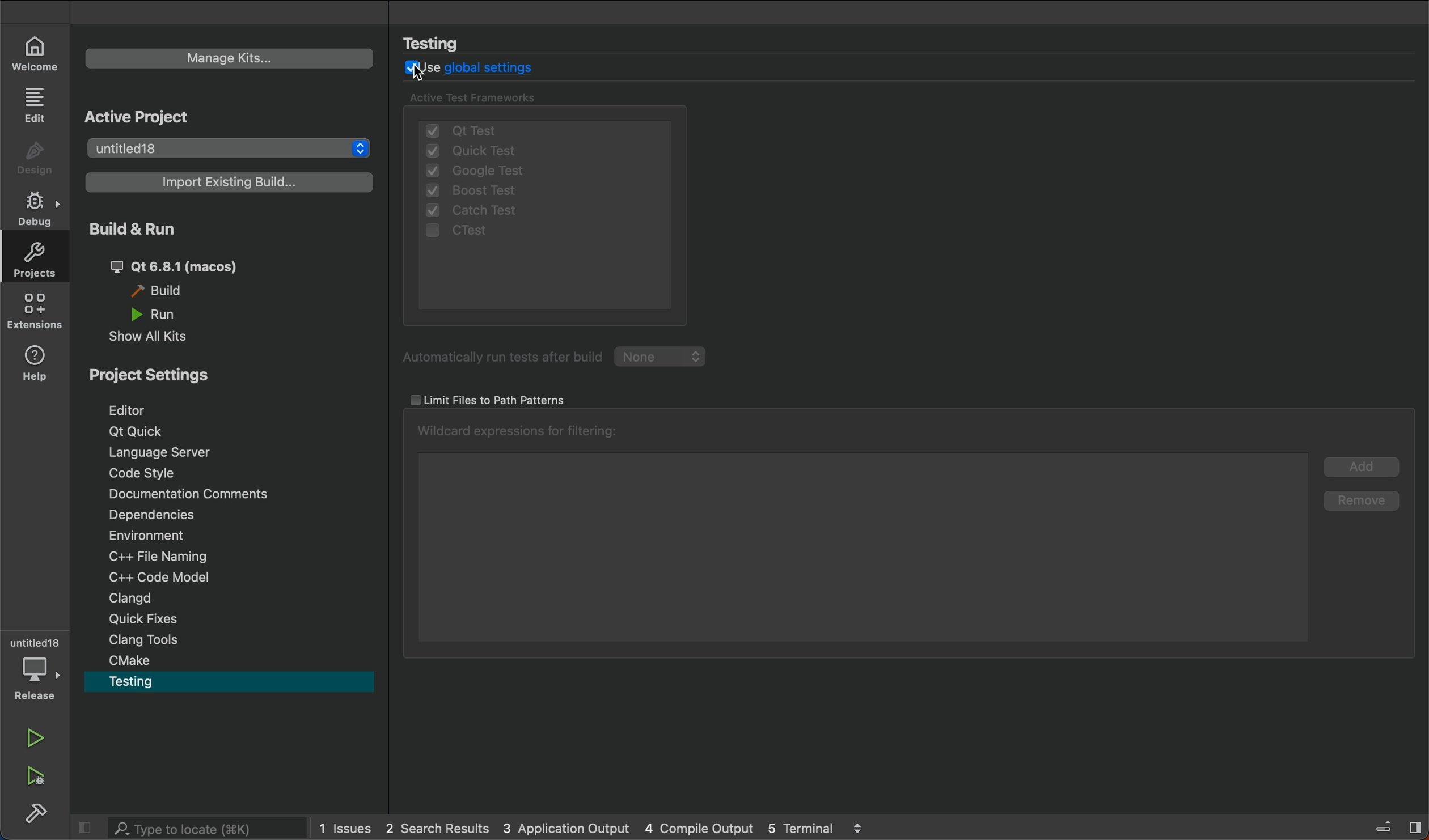  I want to click on wilcard list, so click(862, 546).